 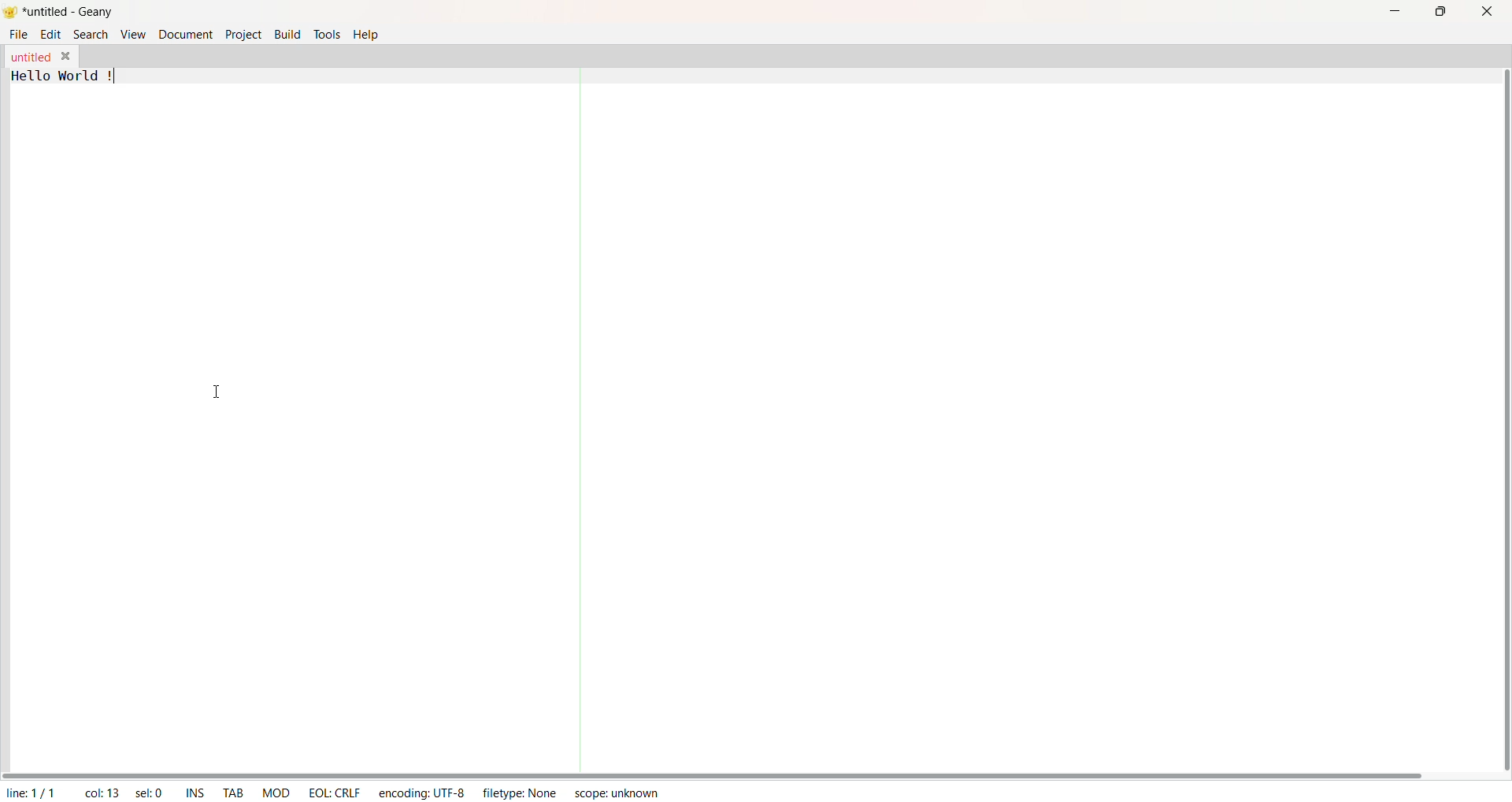 What do you see at coordinates (184, 35) in the screenshot?
I see `Document` at bounding box center [184, 35].